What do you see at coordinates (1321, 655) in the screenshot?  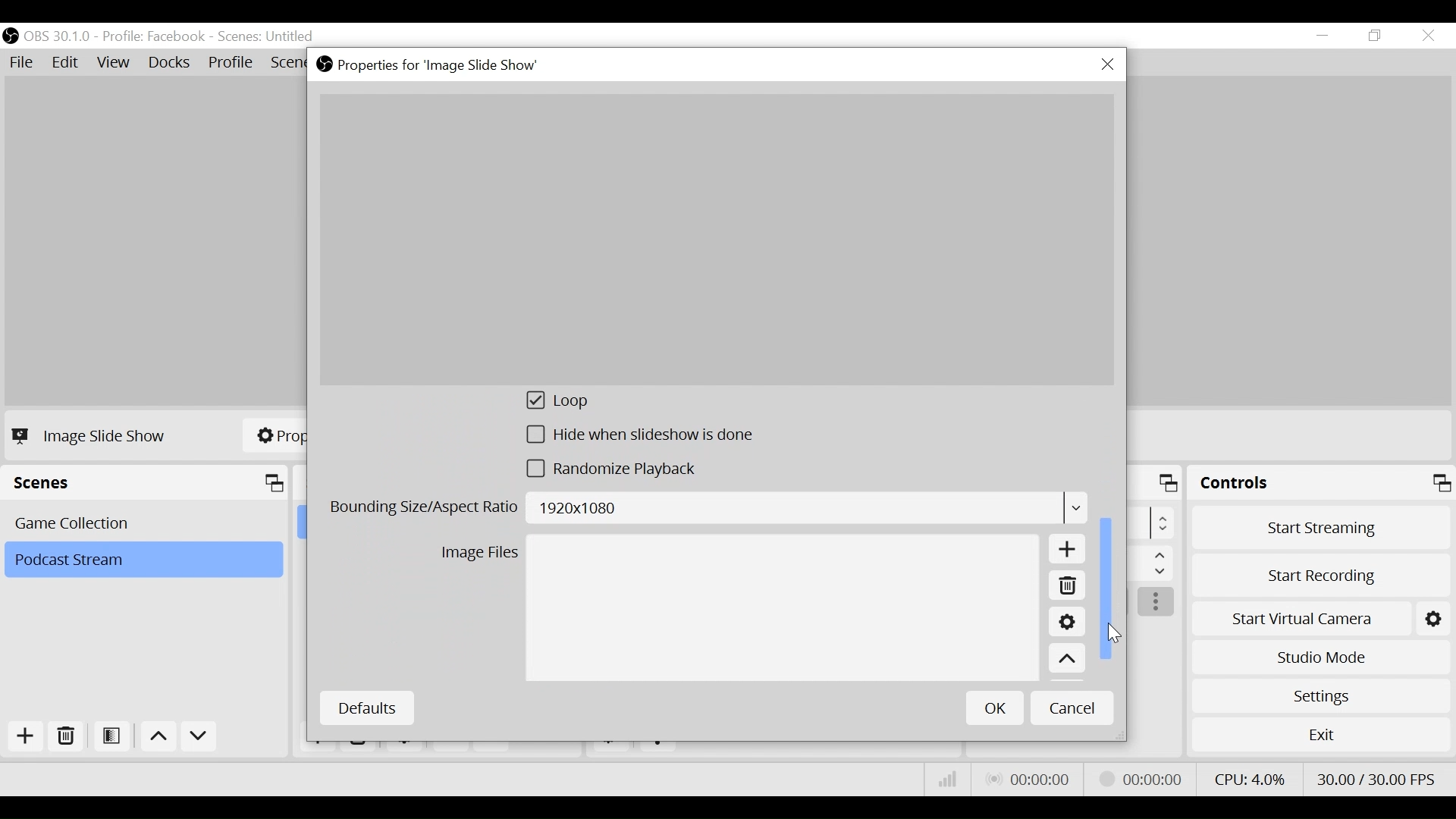 I see `Studio Mode` at bounding box center [1321, 655].